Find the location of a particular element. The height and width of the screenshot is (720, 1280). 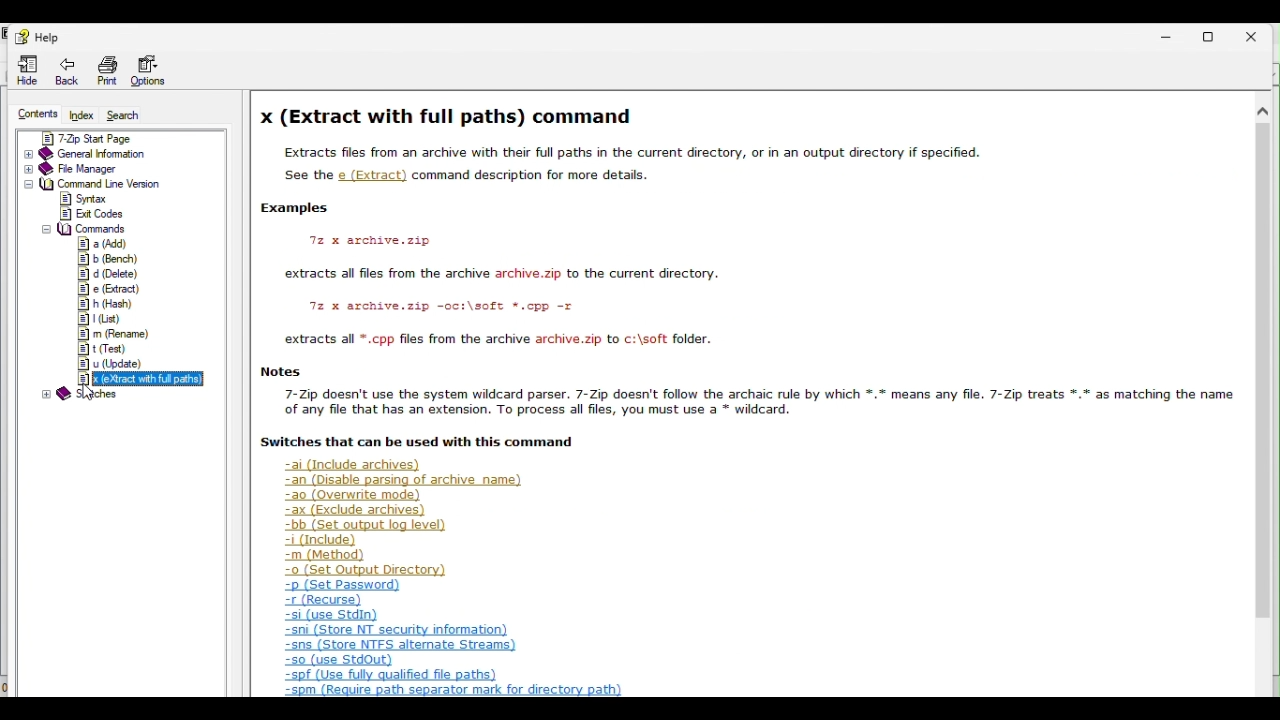

extracts all *.cpp files from the archive archive.zip to c:\soft folder. is located at coordinates (495, 341).